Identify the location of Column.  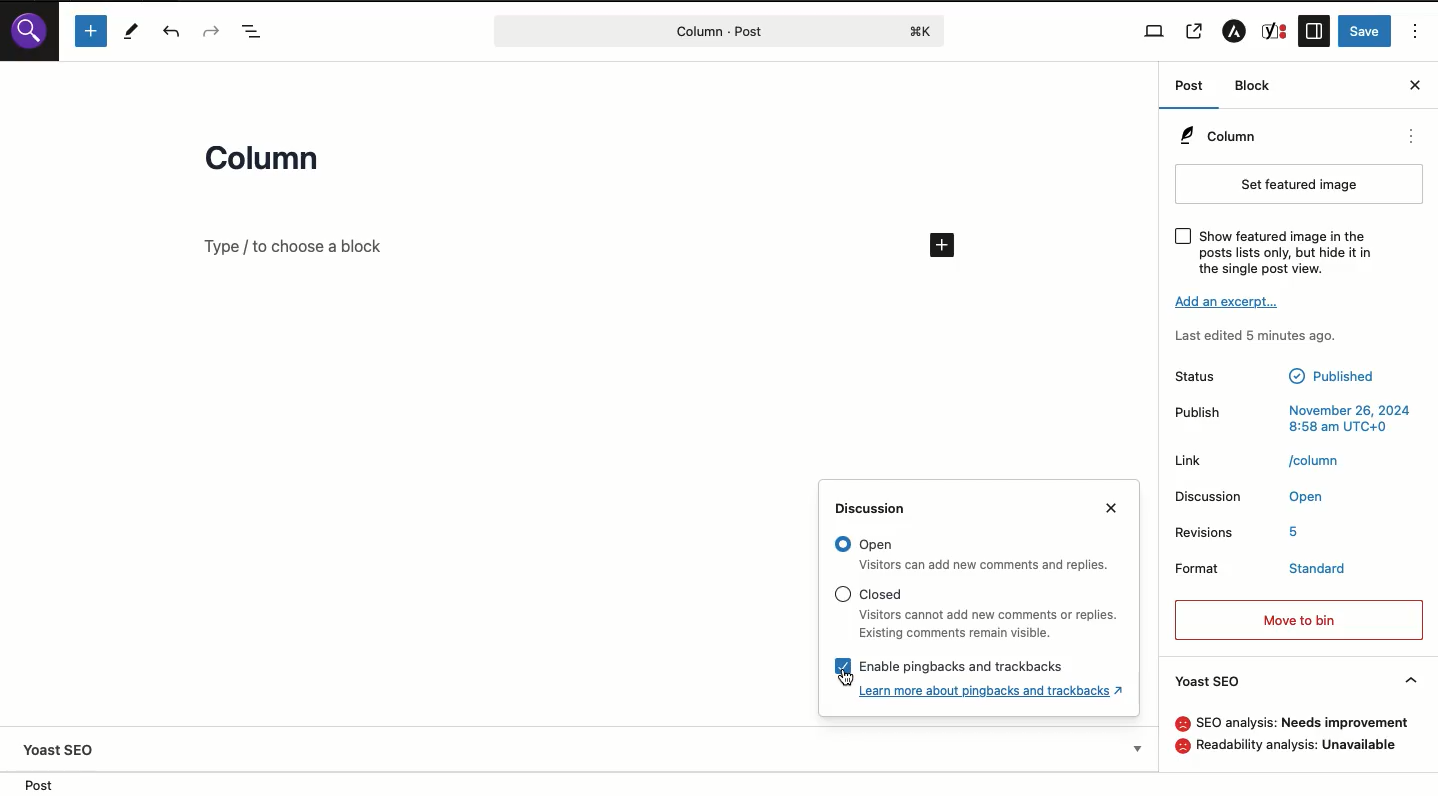
(1218, 134).